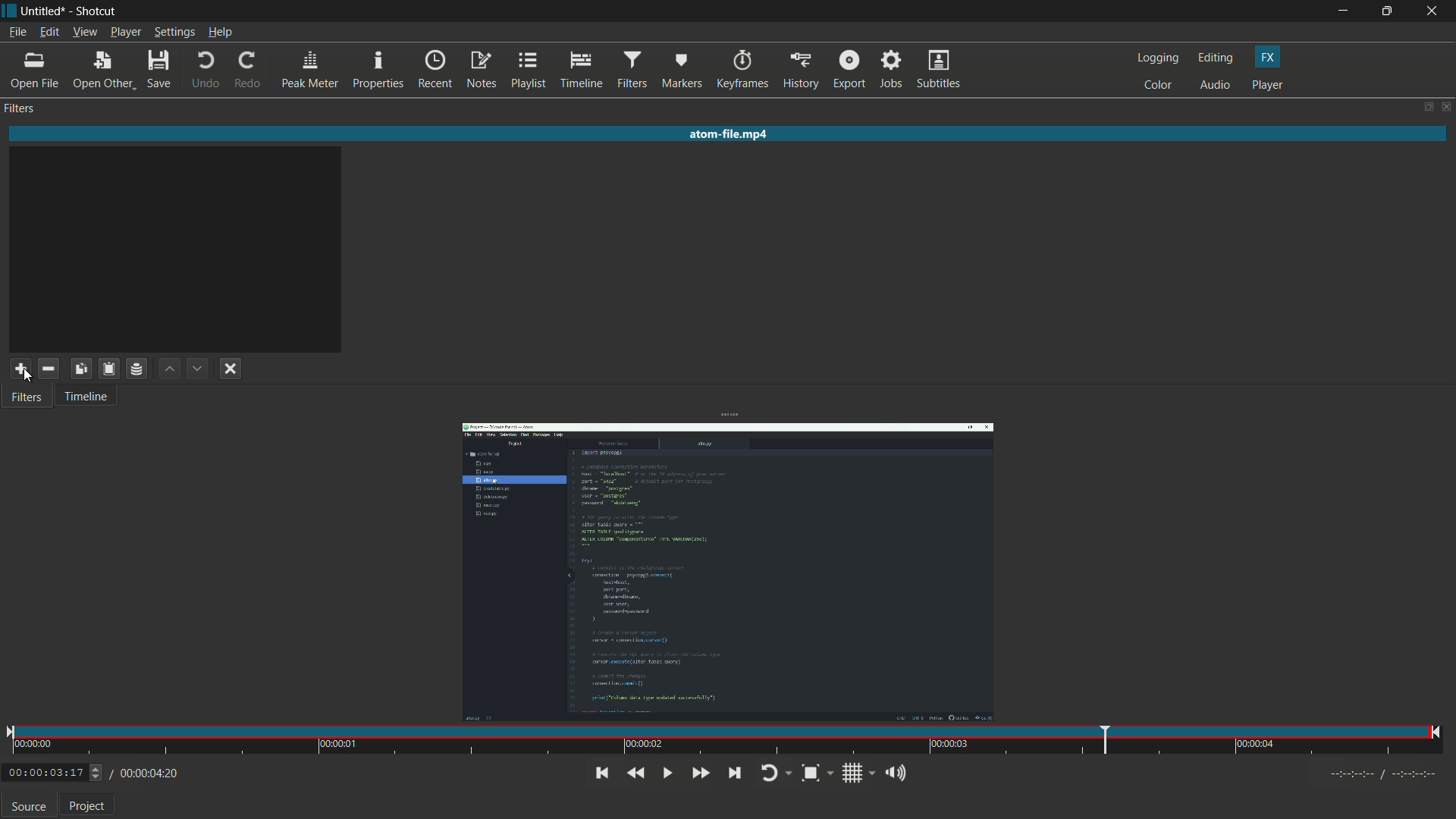 Image resolution: width=1456 pixels, height=819 pixels. I want to click on view menu, so click(84, 33).